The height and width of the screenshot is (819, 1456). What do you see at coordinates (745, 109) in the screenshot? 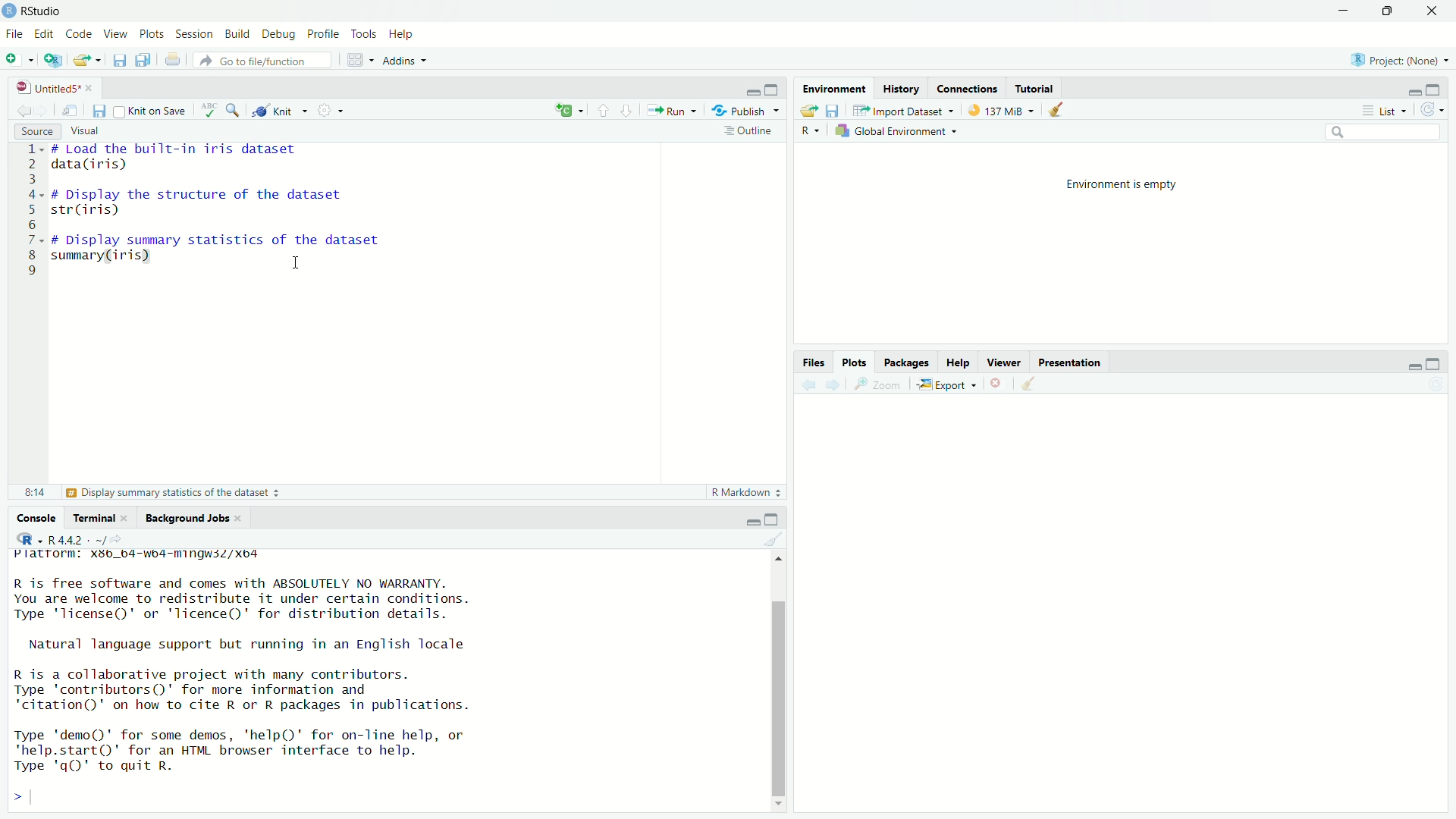
I see `“4% Publish ~` at bounding box center [745, 109].